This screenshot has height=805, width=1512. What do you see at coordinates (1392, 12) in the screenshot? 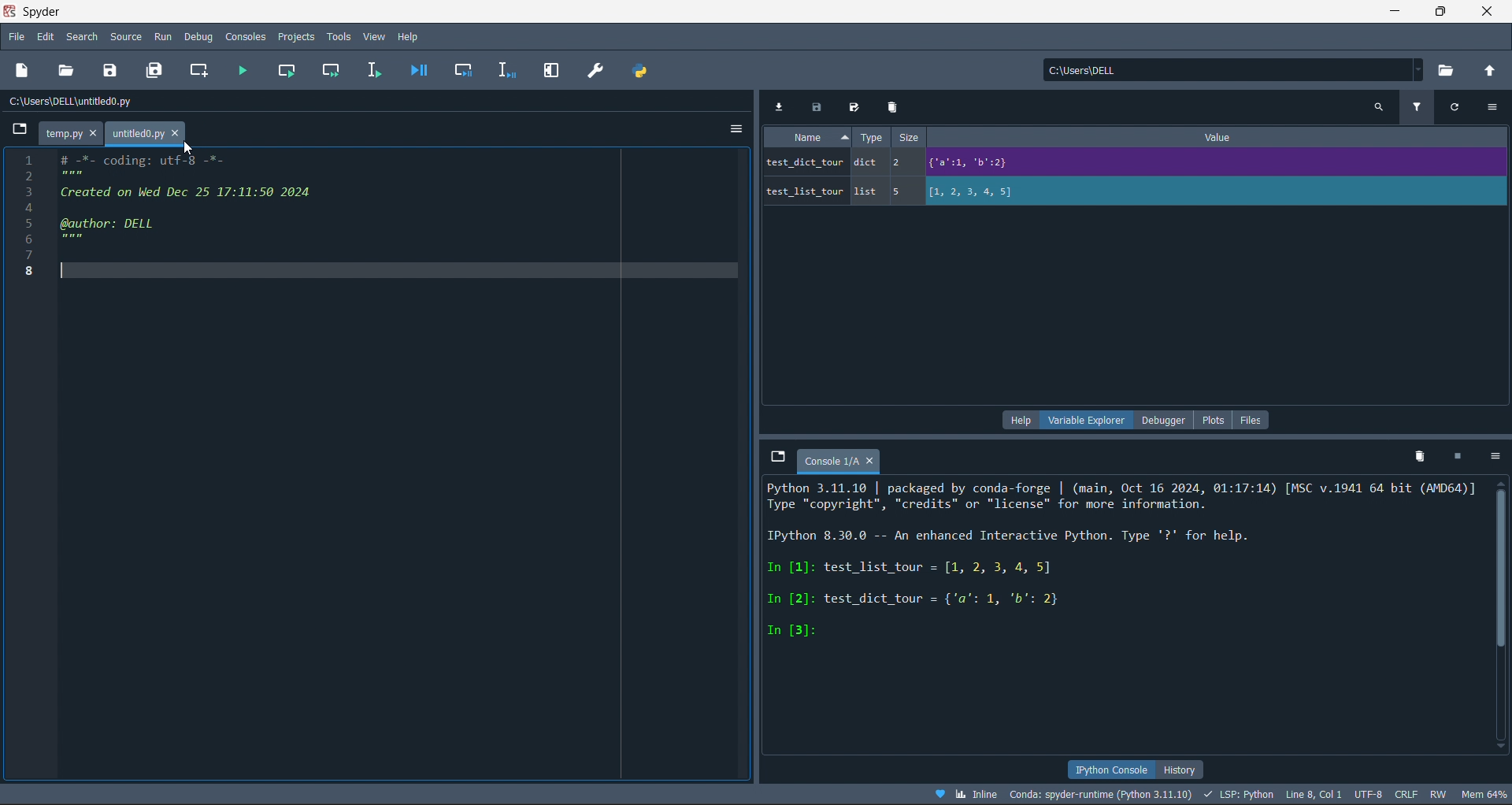
I see `minimiize` at bounding box center [1392, 12].